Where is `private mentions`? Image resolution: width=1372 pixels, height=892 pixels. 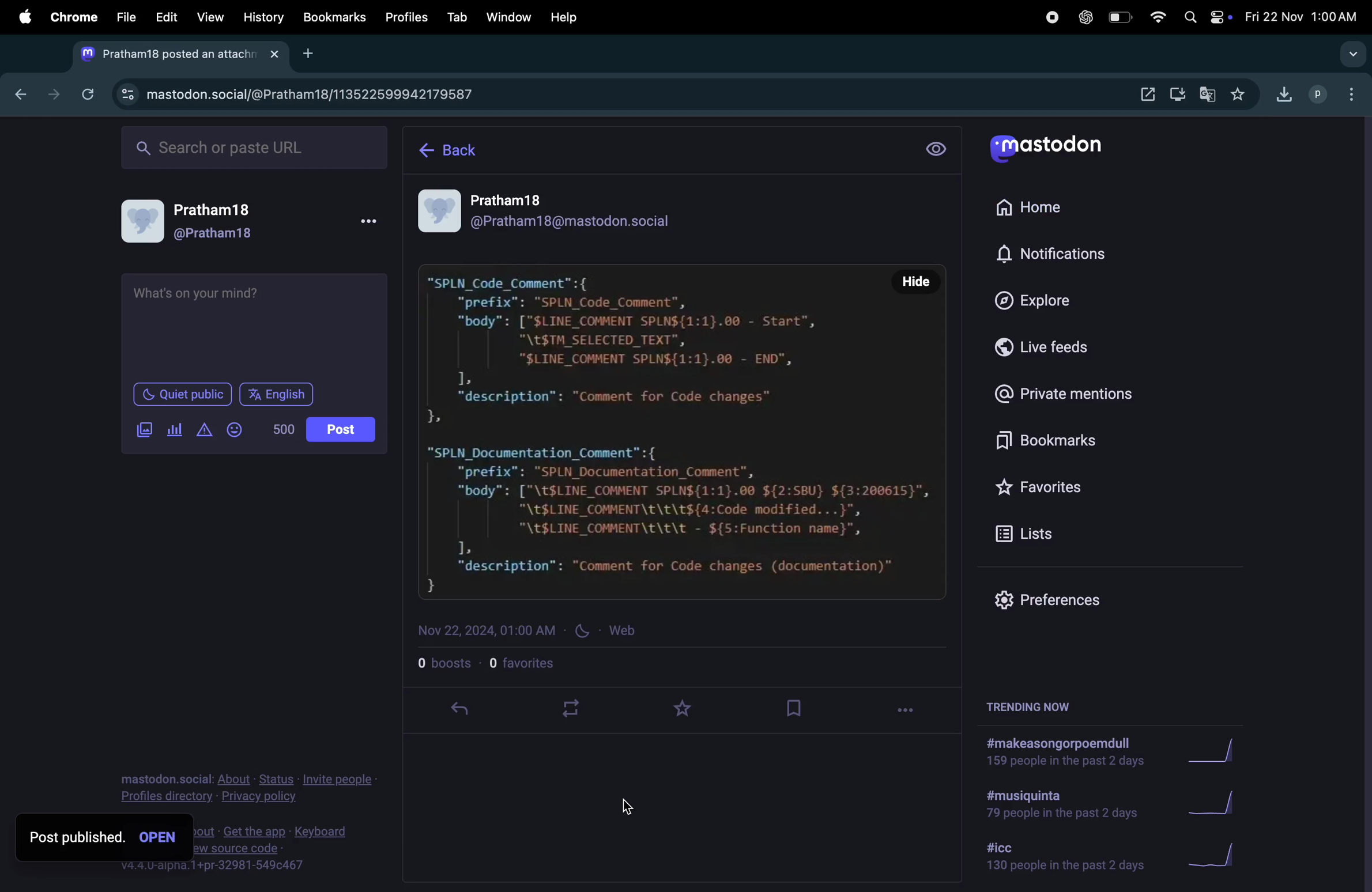 private mentions is located at coordinates (1080, 390).